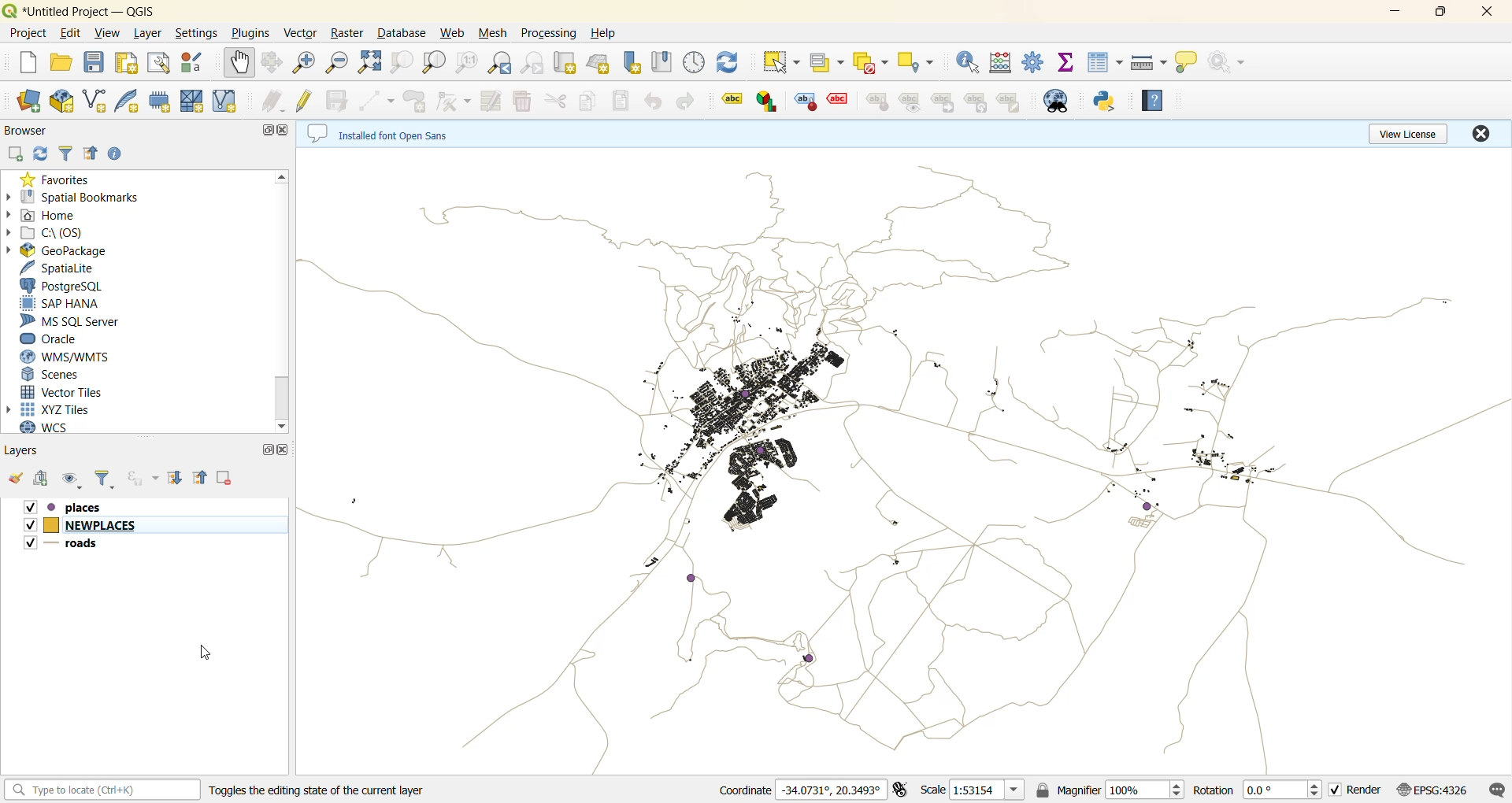  What do you see at coordinates (780, 62) in the screenshot?
I see `select` at bounding box center [780, 62].